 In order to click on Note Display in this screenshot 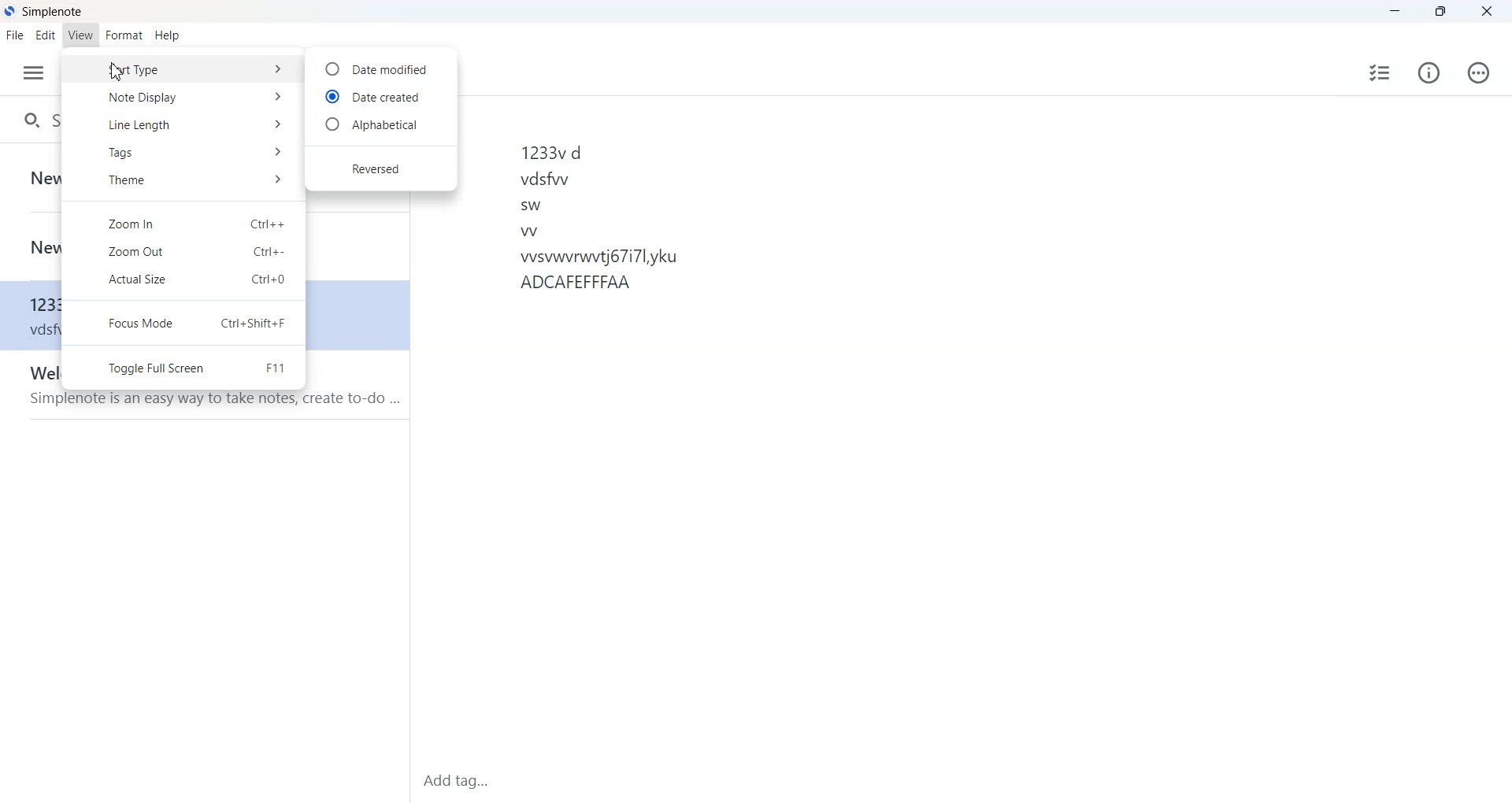, I will do `click(183, 97)`.